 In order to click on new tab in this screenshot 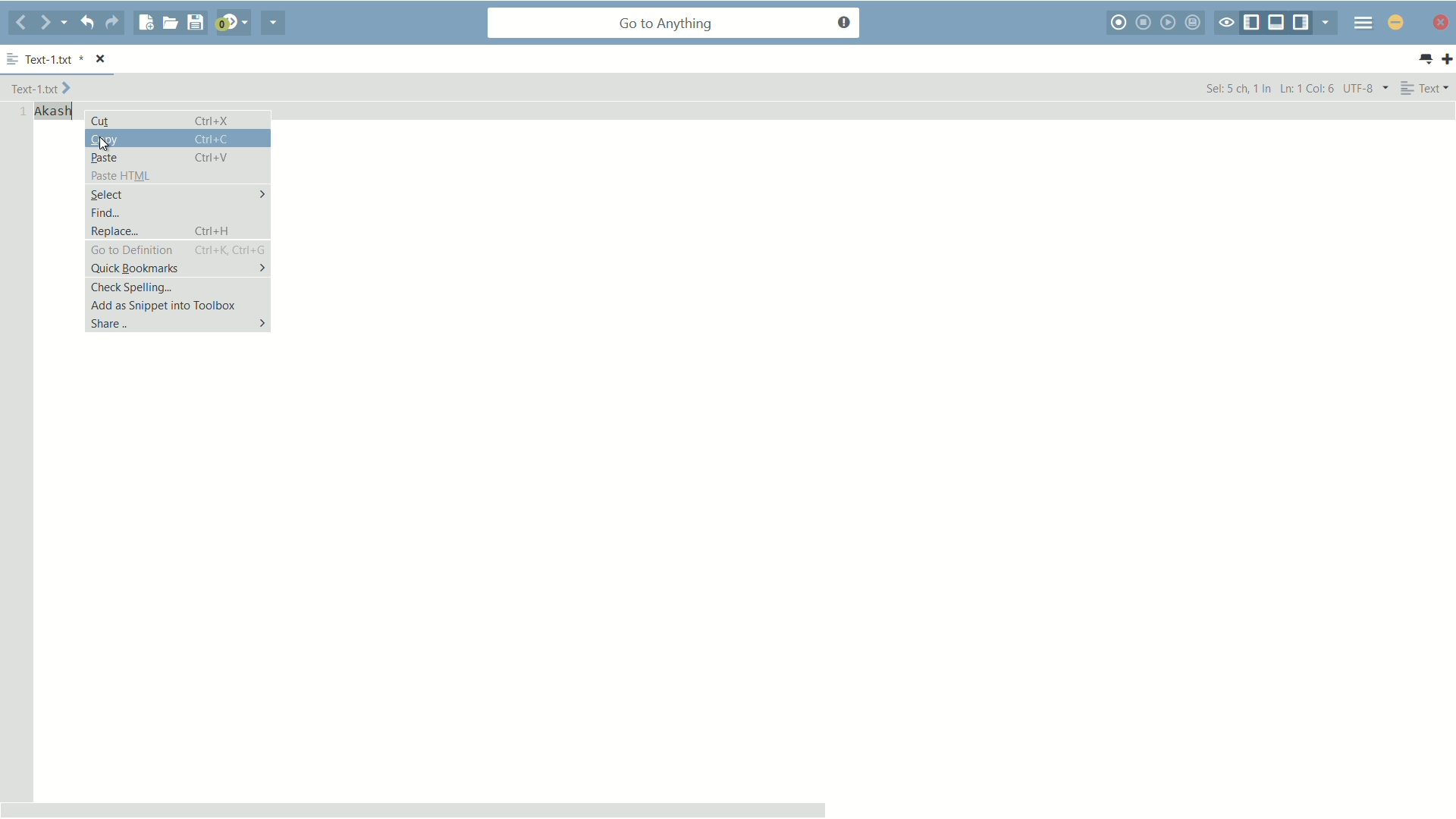, I will do `click(1447, 58)`.